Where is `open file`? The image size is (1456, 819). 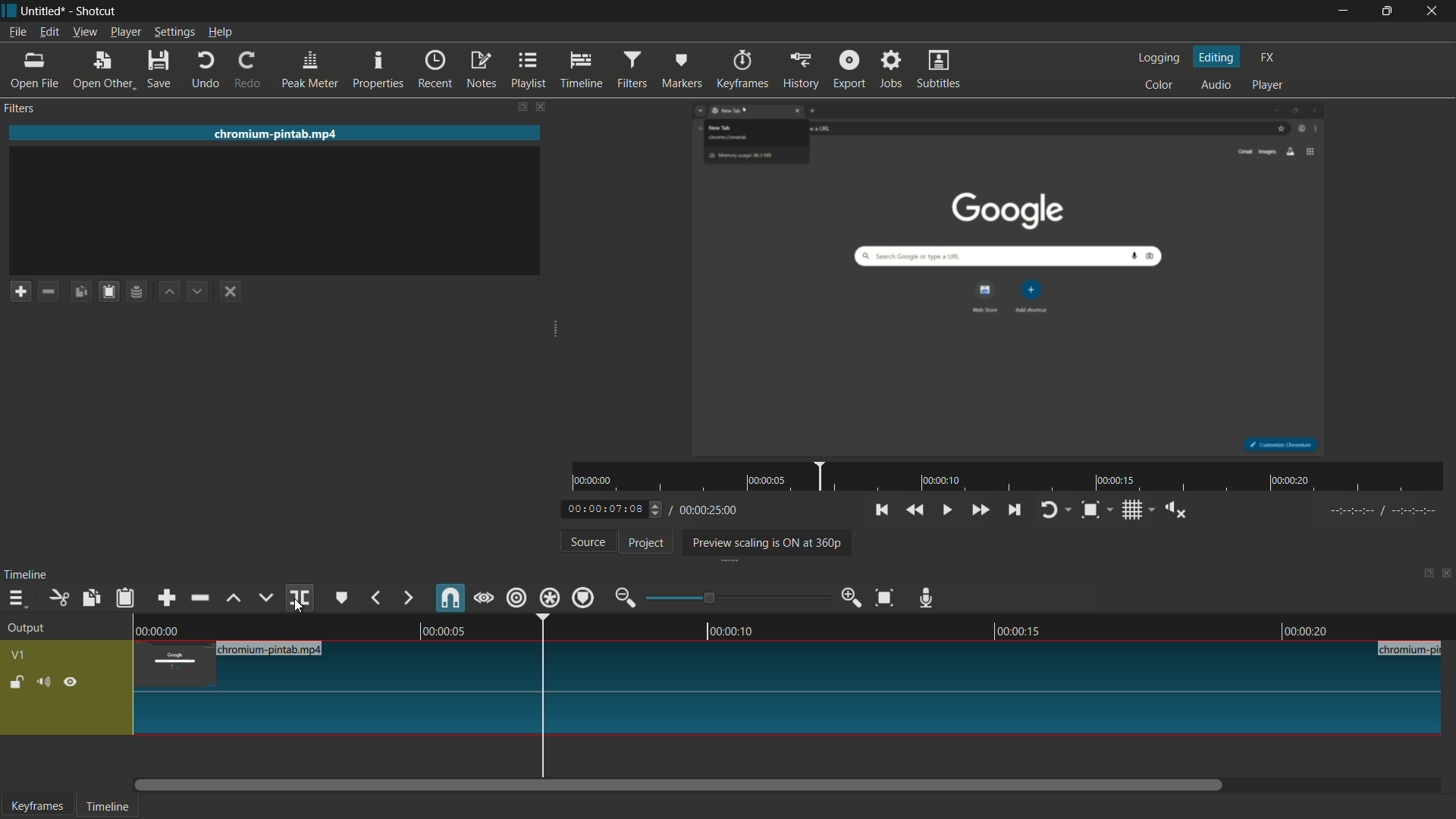 open file is located at coordinates (32, 70).